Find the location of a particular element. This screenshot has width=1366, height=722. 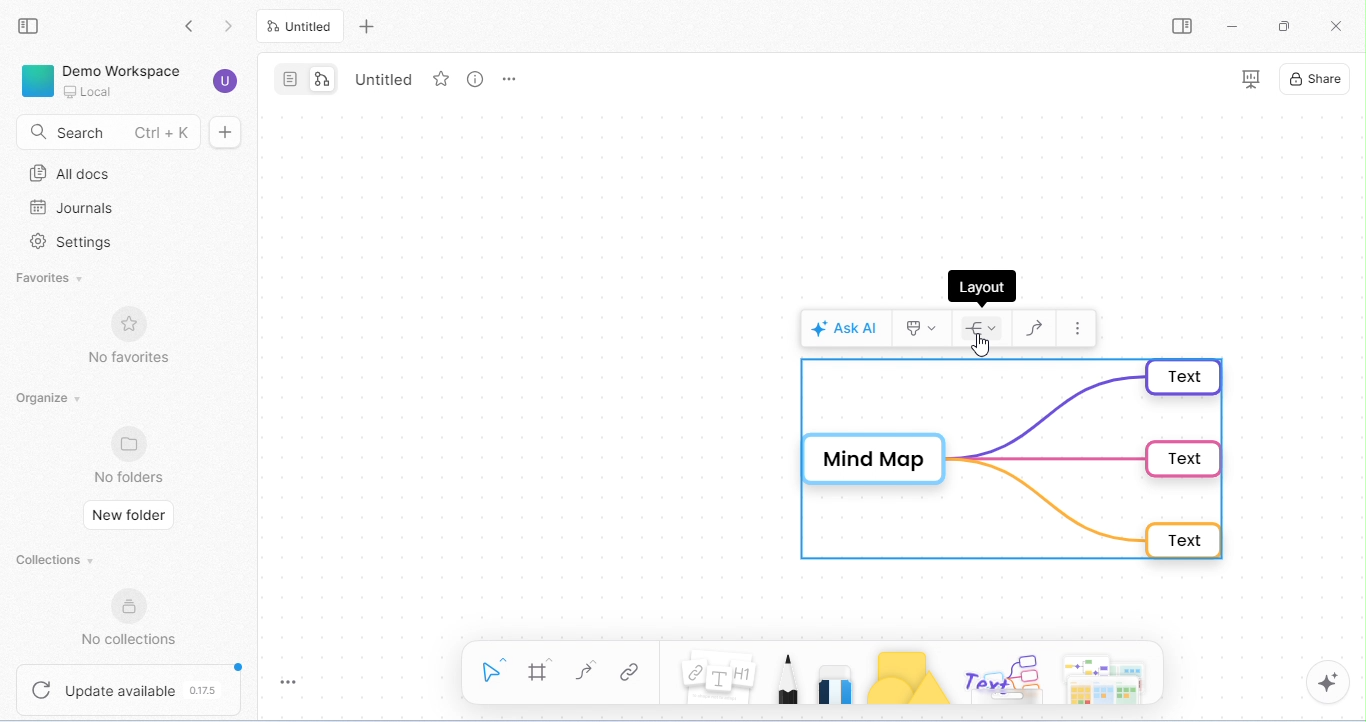

update available is located at coordinates (128, 691).